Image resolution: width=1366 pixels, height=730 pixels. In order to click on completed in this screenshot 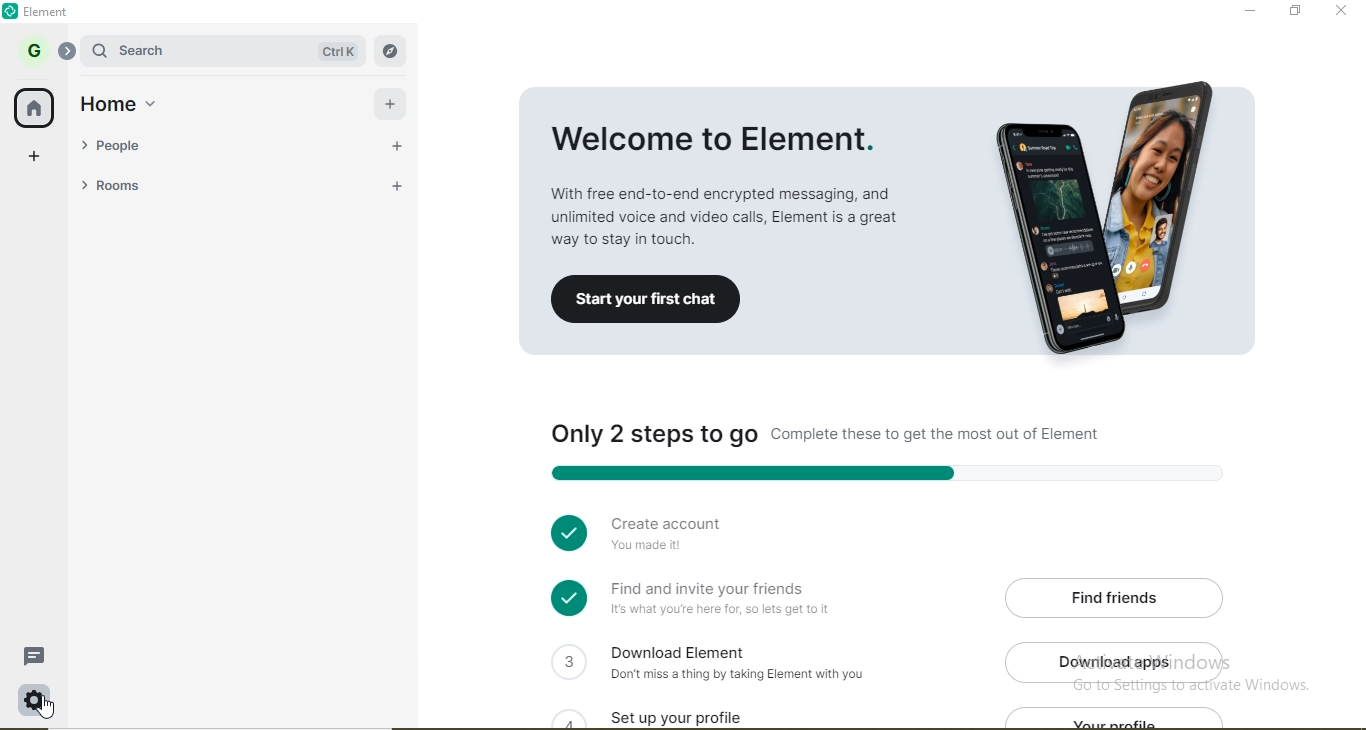, I will do `click(567, 598)`.